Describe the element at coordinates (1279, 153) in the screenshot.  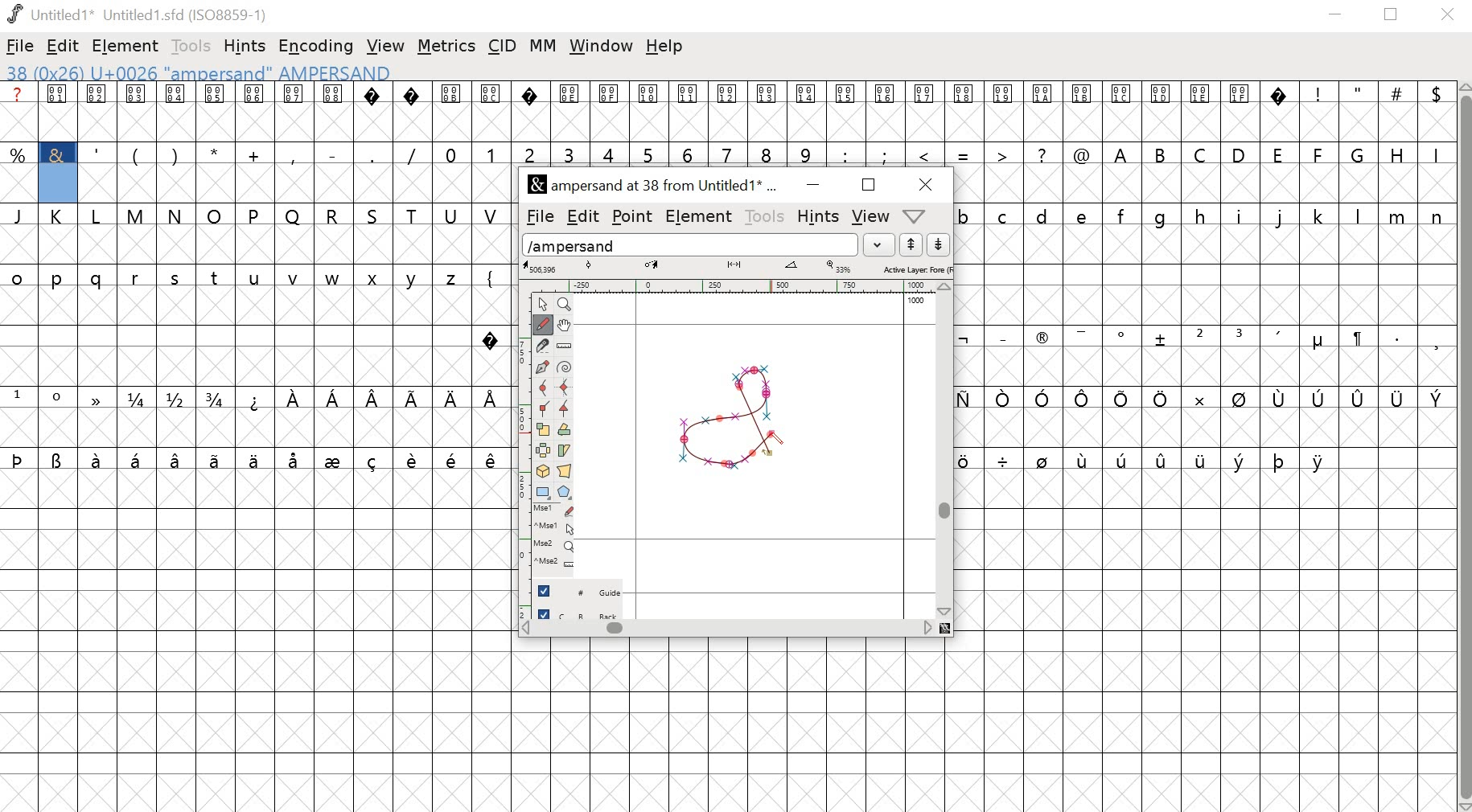
I see `E` at that location.